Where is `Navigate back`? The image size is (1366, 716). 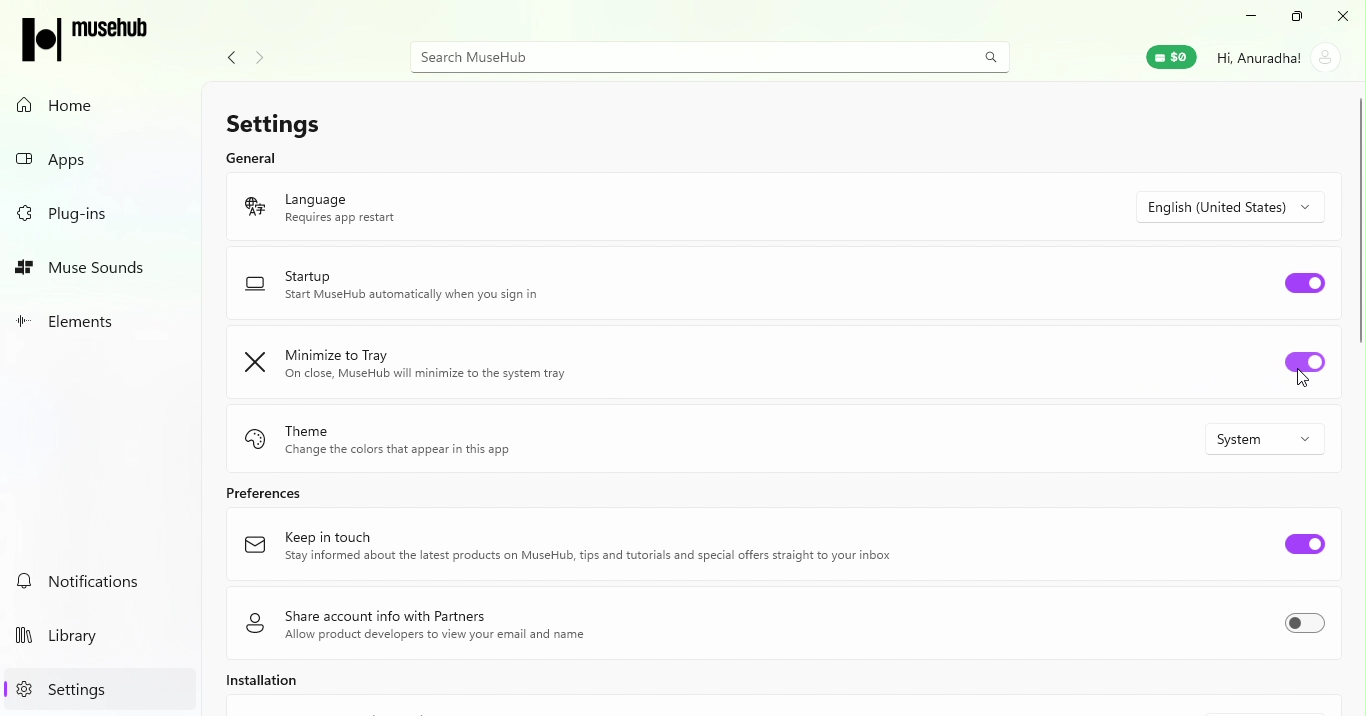 Navigate back is located at coordinates (231, 56).